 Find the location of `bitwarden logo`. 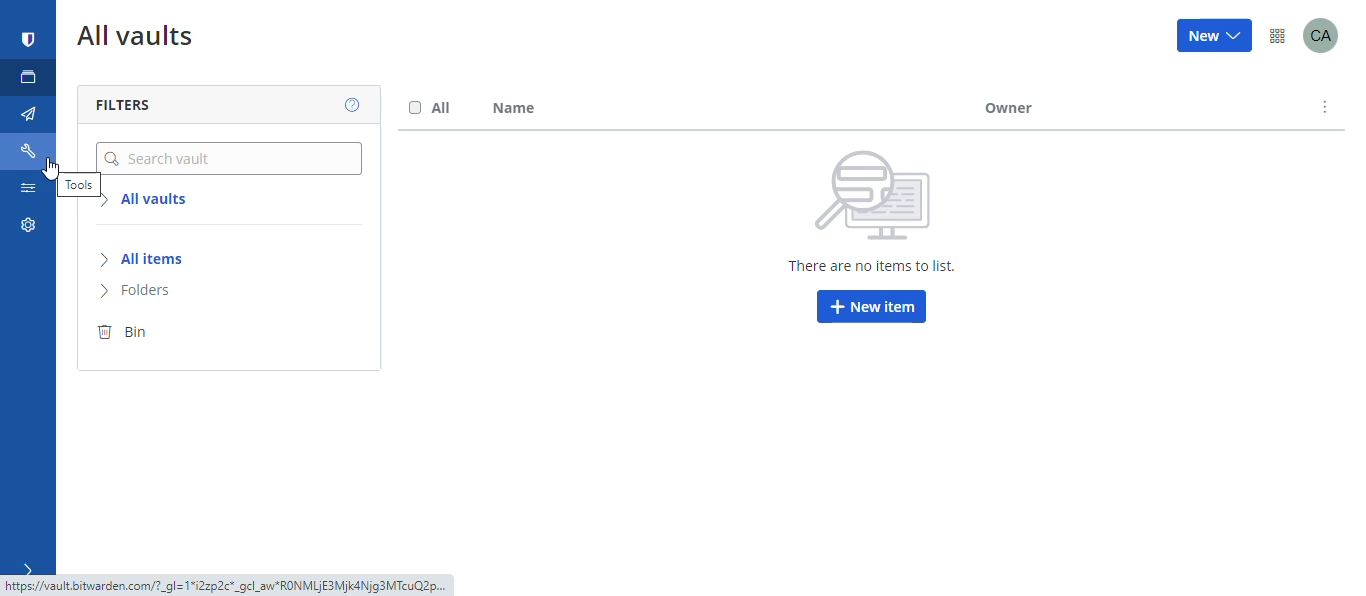

bitwarden logo is located at coordinates (29, 40).